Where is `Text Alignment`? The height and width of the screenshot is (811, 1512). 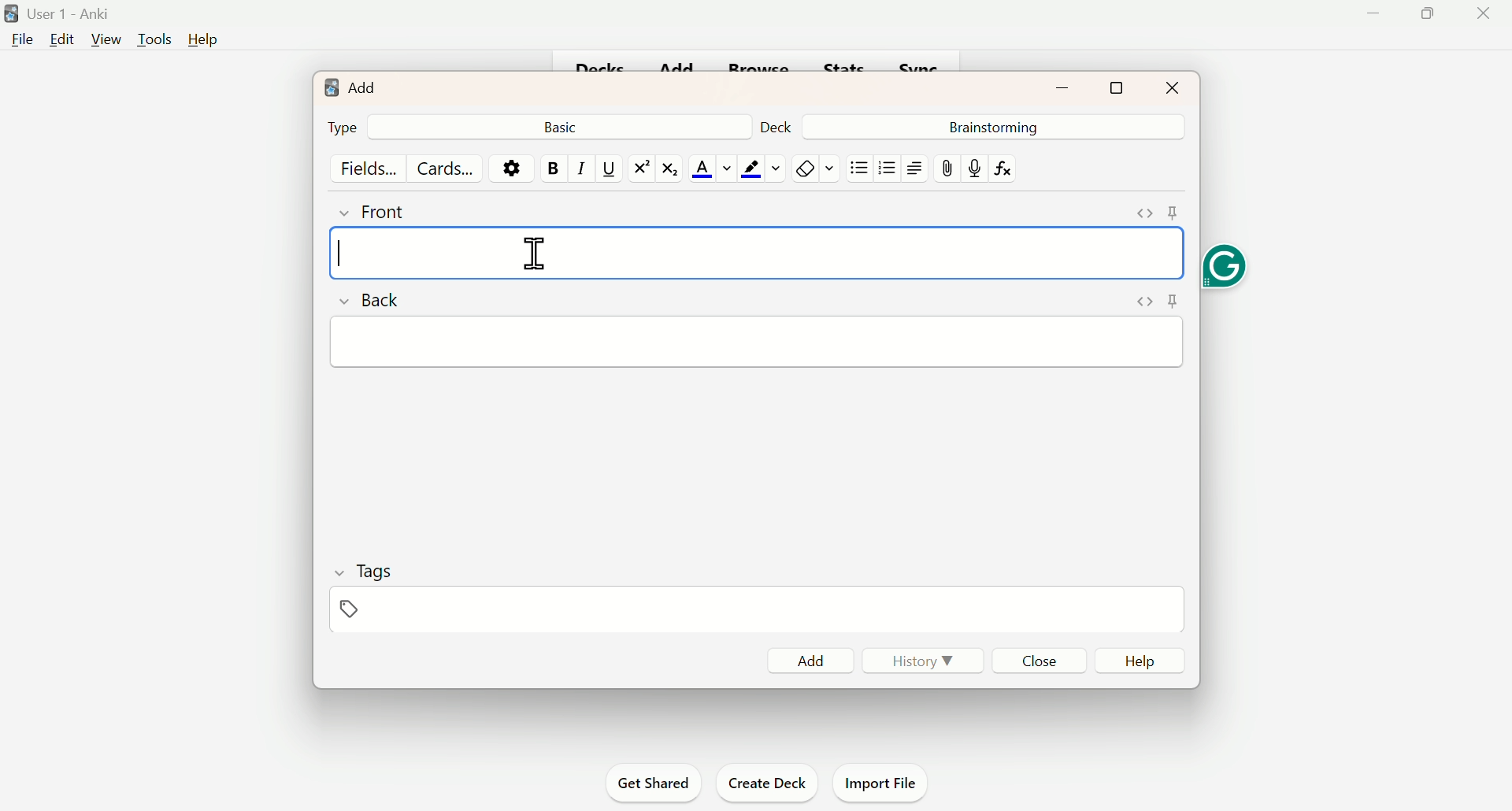
Text Alignment is located at coordinates (913, 168).